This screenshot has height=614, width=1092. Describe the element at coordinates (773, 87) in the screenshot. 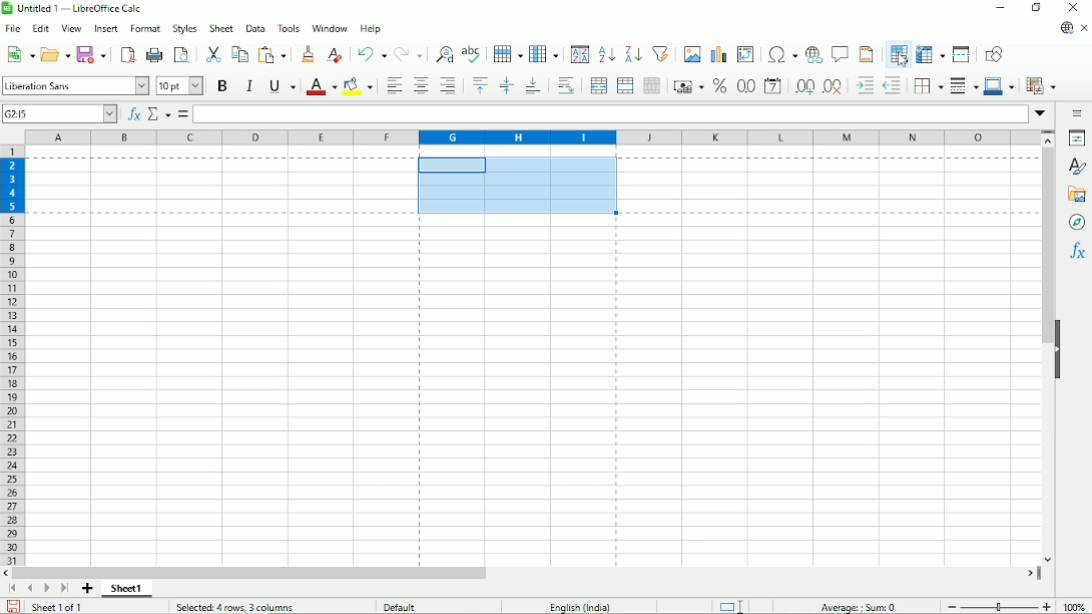

I see `Format as date` at that location.